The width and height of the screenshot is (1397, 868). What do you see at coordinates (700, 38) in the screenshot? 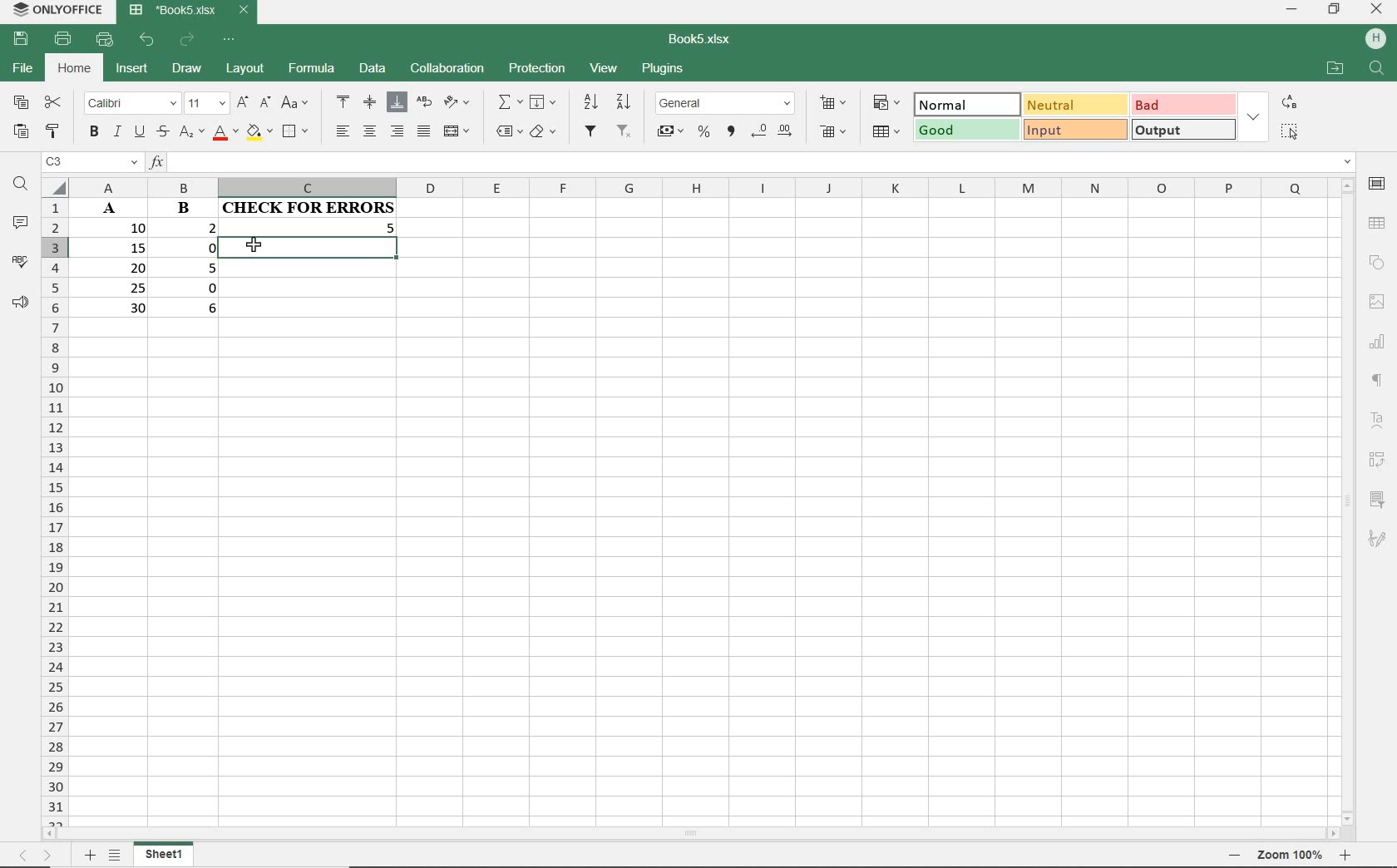
I see `DOCUMENT NAME` at bounding box center [700, 38].